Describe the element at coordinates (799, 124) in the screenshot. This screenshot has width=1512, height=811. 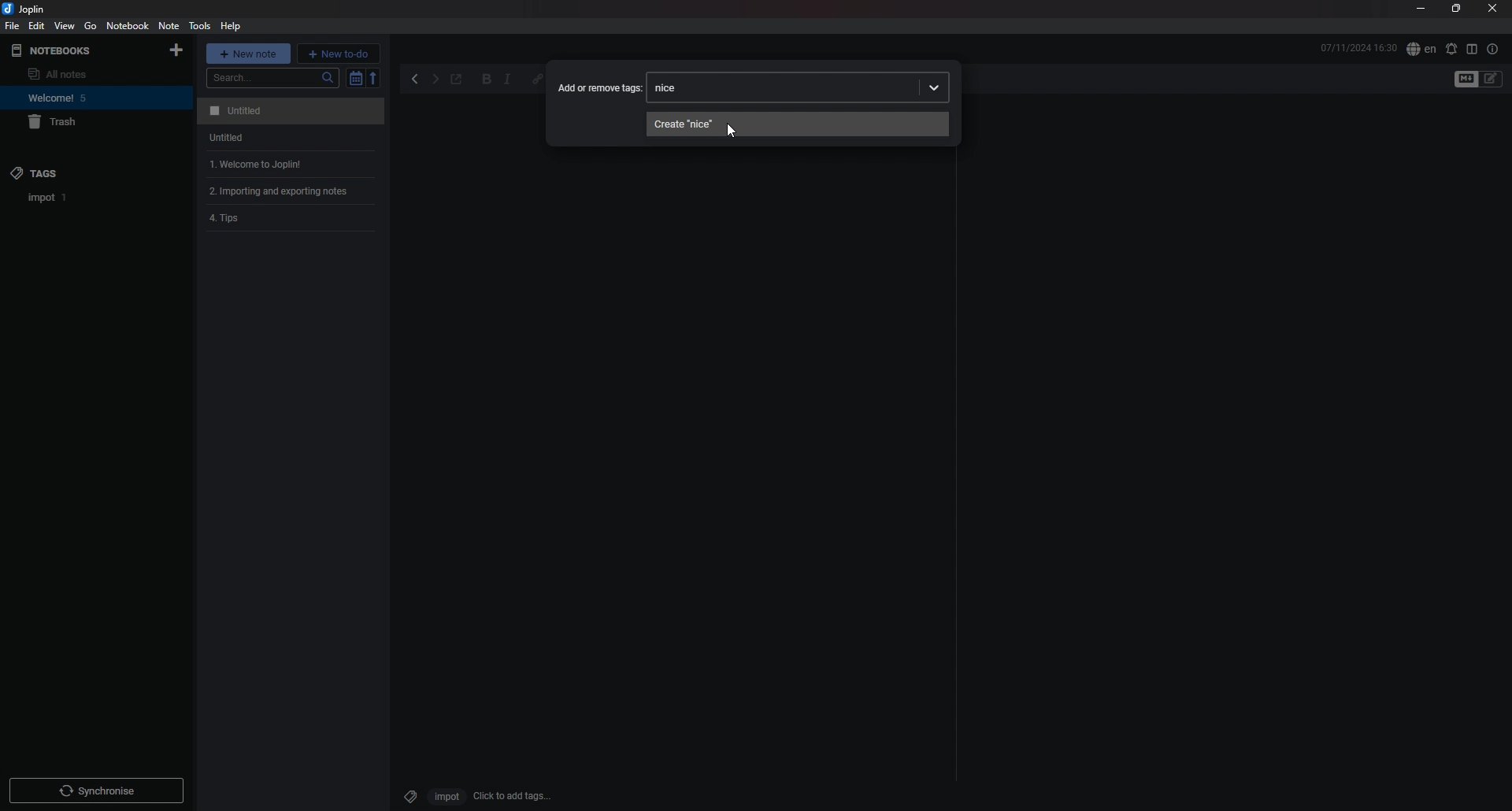
I see `create tag` at that location.